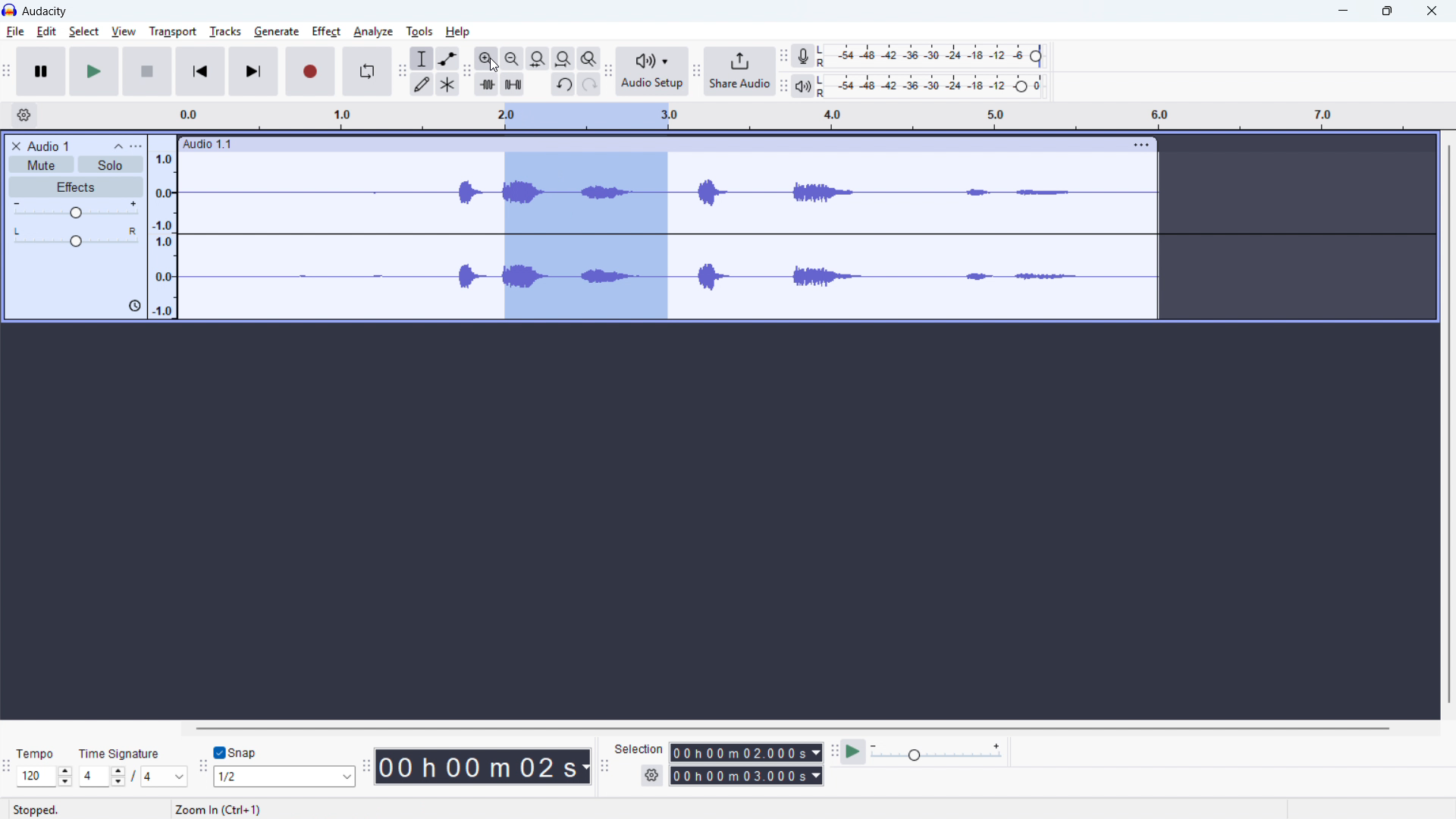 This screenshot has width=1456, height=819. I want to click on Toggle zoom, so click(588, 58).